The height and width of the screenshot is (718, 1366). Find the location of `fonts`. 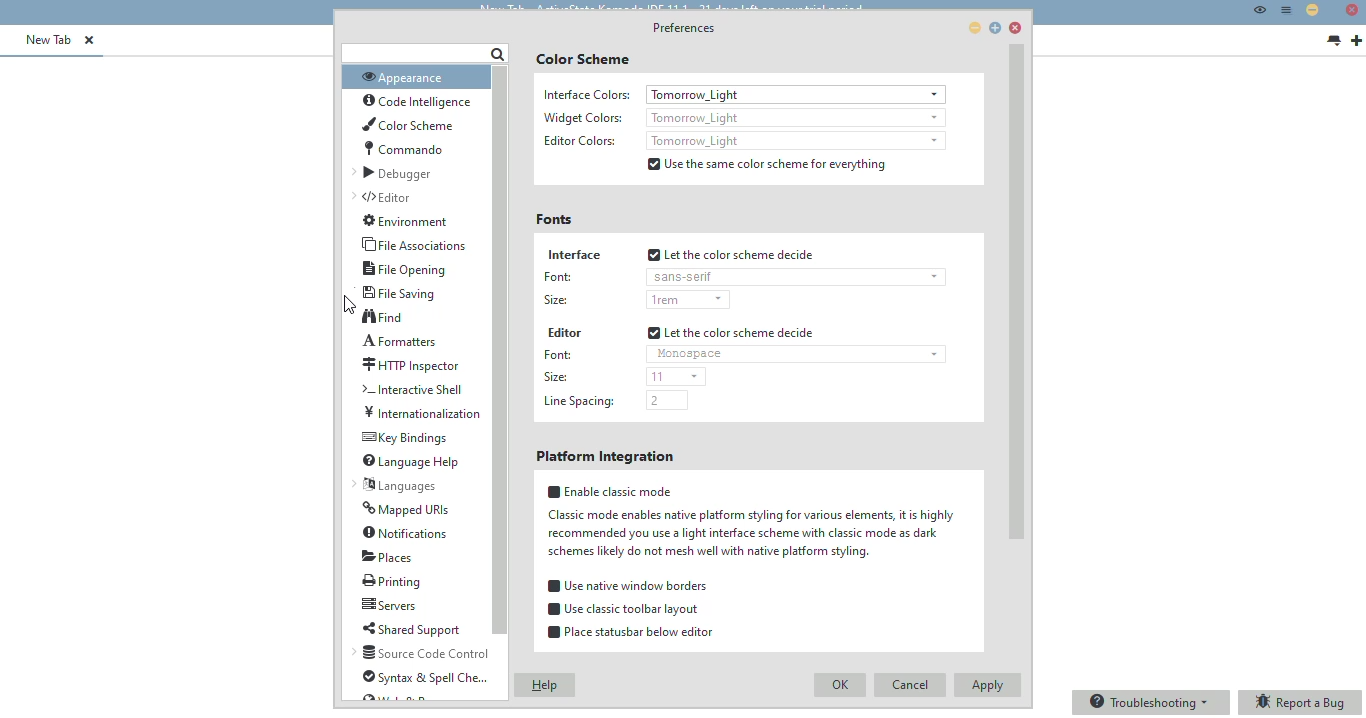

fonts is located at coordinates (553, 220).